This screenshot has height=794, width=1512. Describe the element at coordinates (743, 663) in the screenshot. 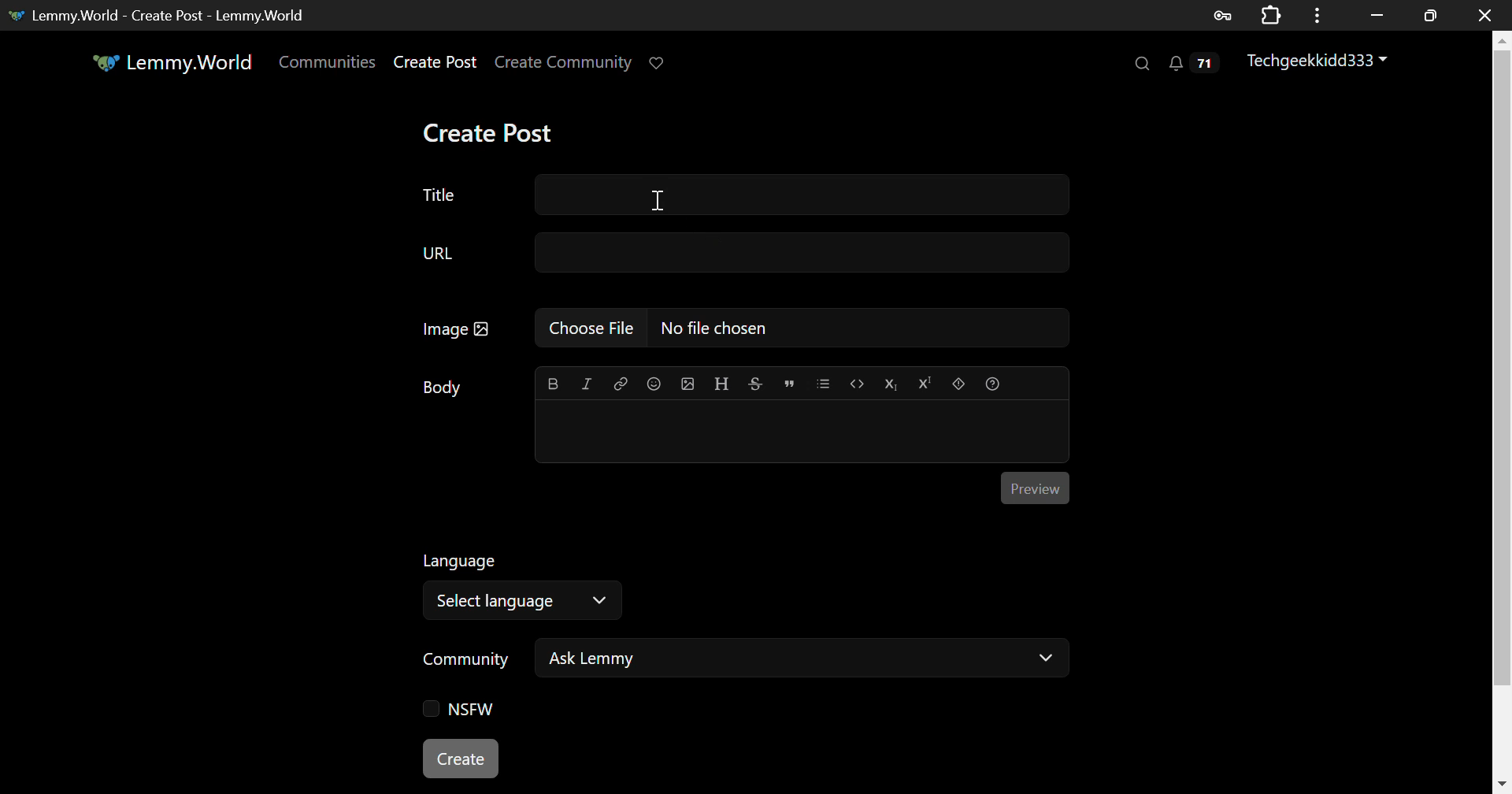

I see `Community: ask Lemmy` at that location.